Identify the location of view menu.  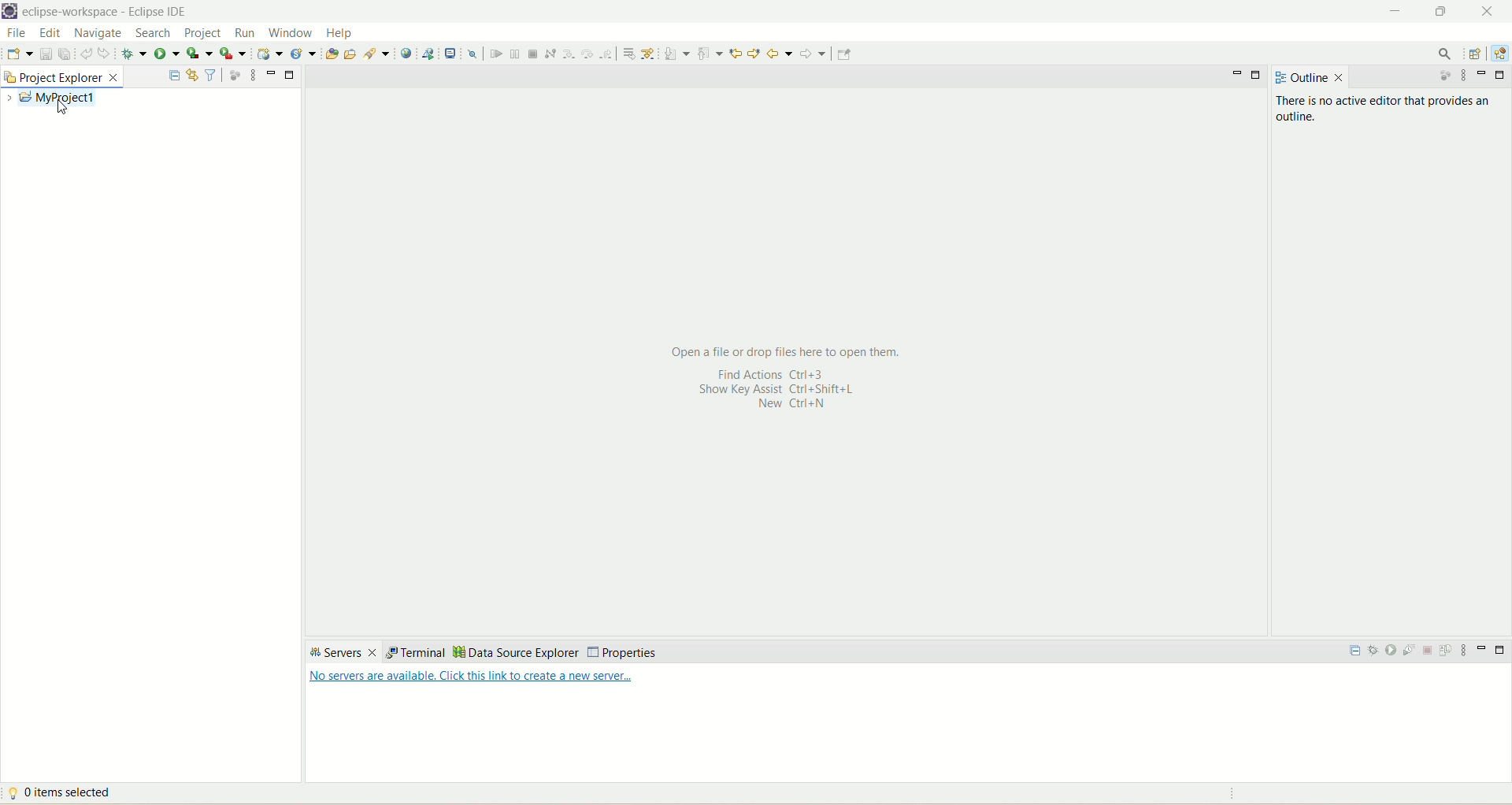
(251, 75).